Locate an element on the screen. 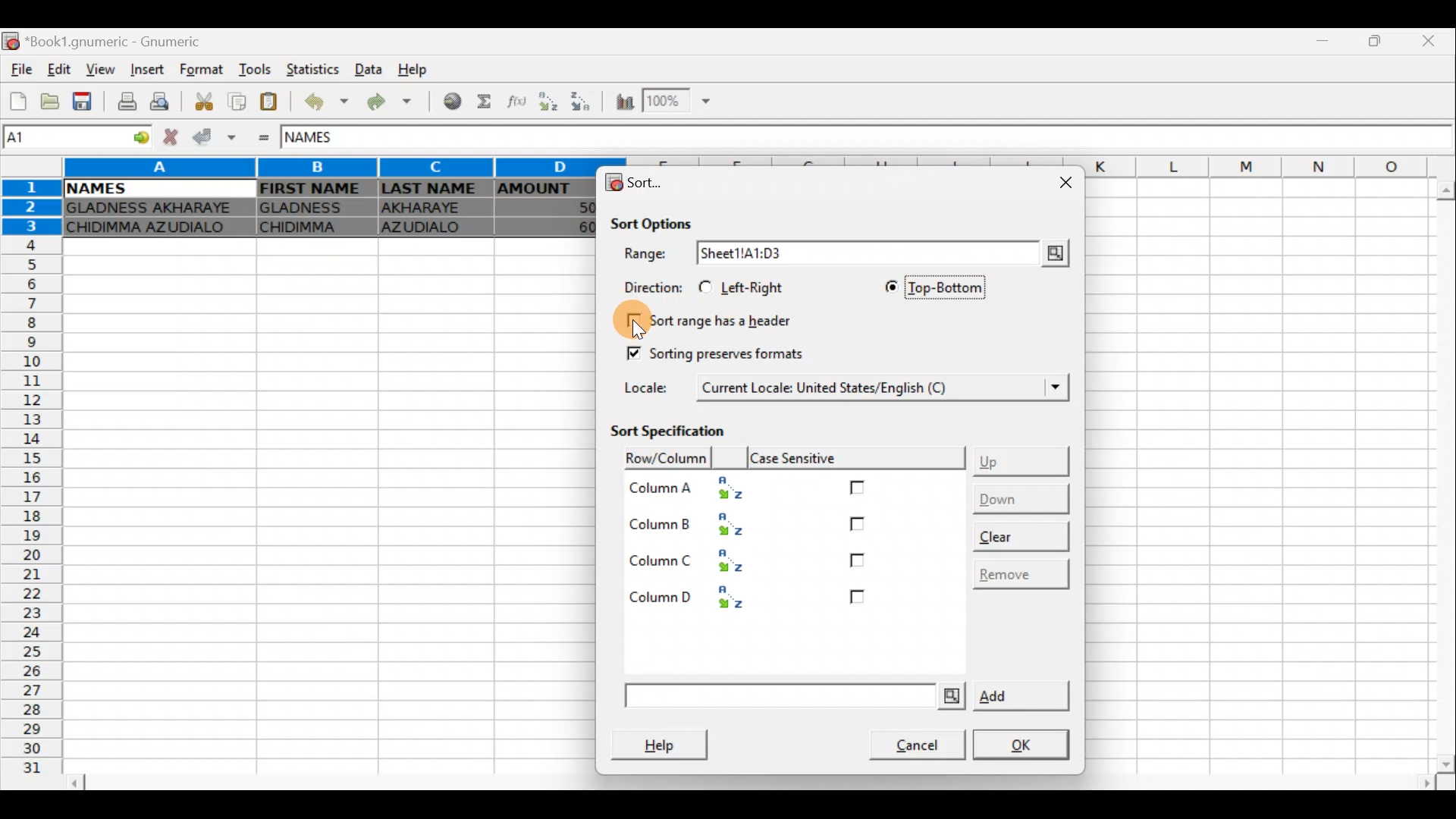 The image size is (1456, 819). Maximize is located at coordinates (1379, 42).